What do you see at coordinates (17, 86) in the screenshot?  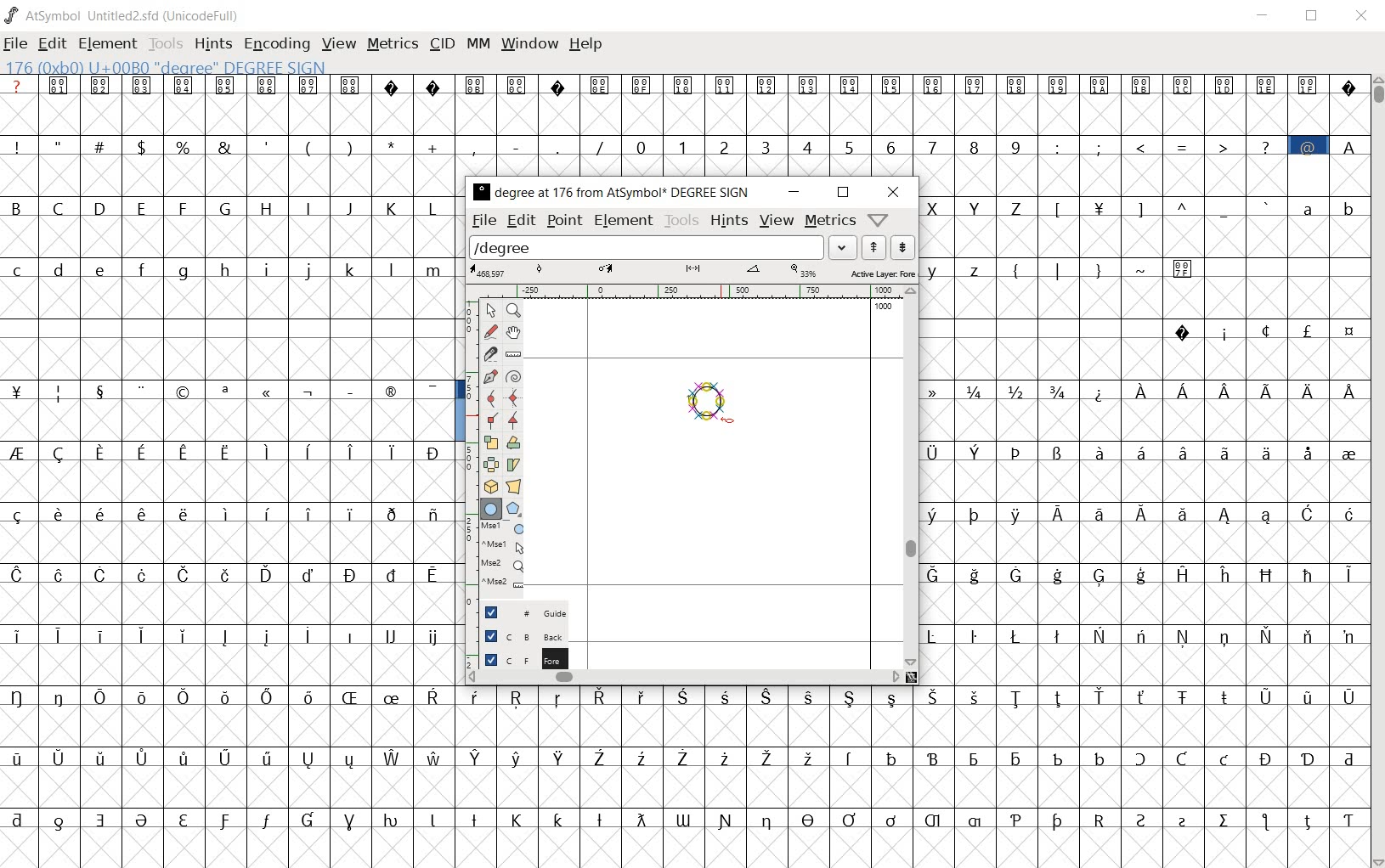 I see `?` at bounding box center [17, 86].